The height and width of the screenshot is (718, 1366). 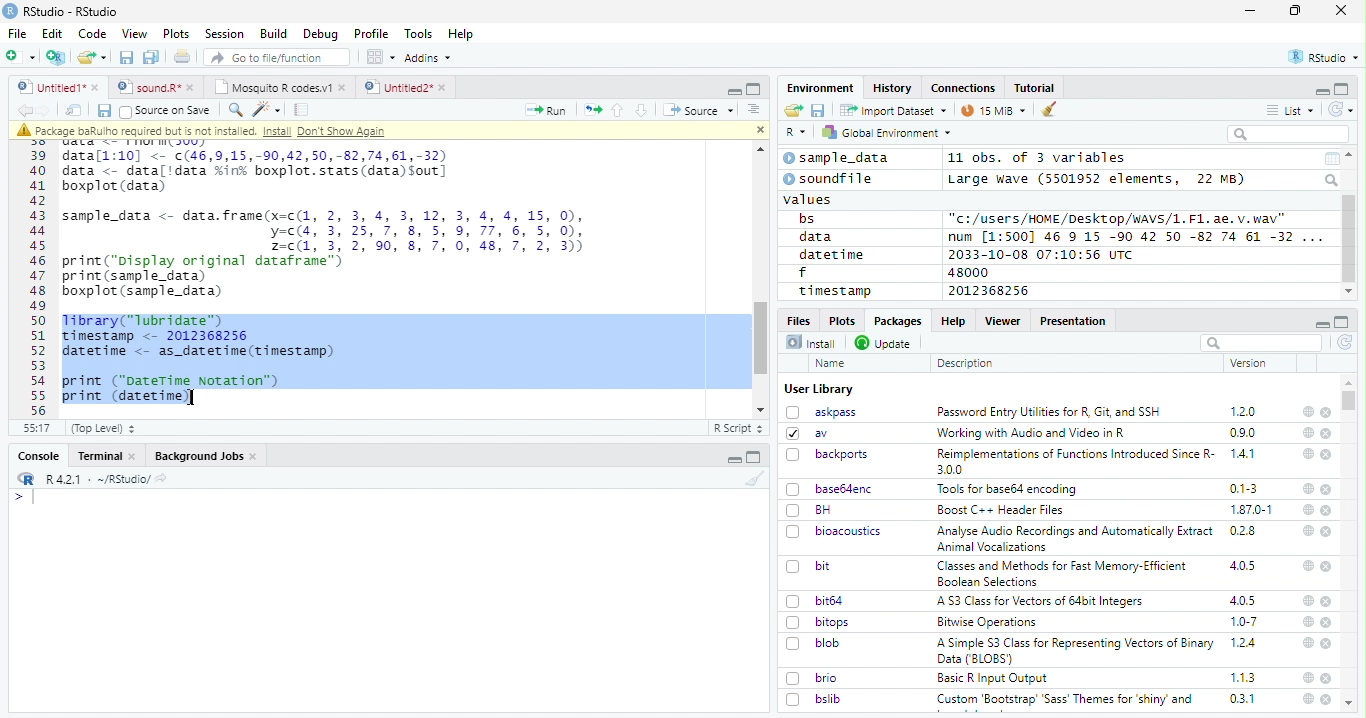 What do you see at coordinates (995, 678) in the screenshot?
I see `Basic R Input Output` at bounding box center [995, 678].